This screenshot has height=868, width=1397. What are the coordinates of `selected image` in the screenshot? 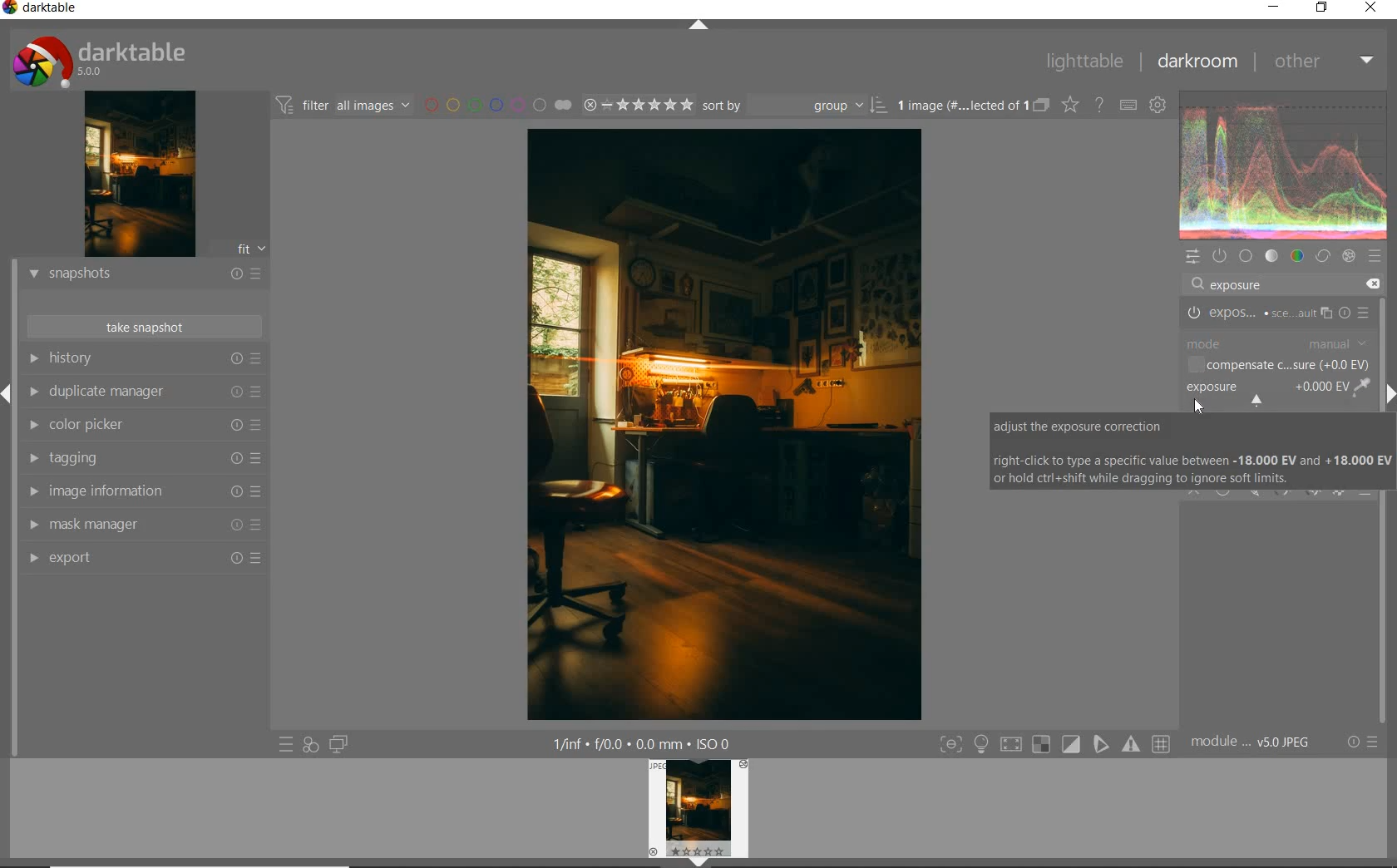 It's located at (727, 424).